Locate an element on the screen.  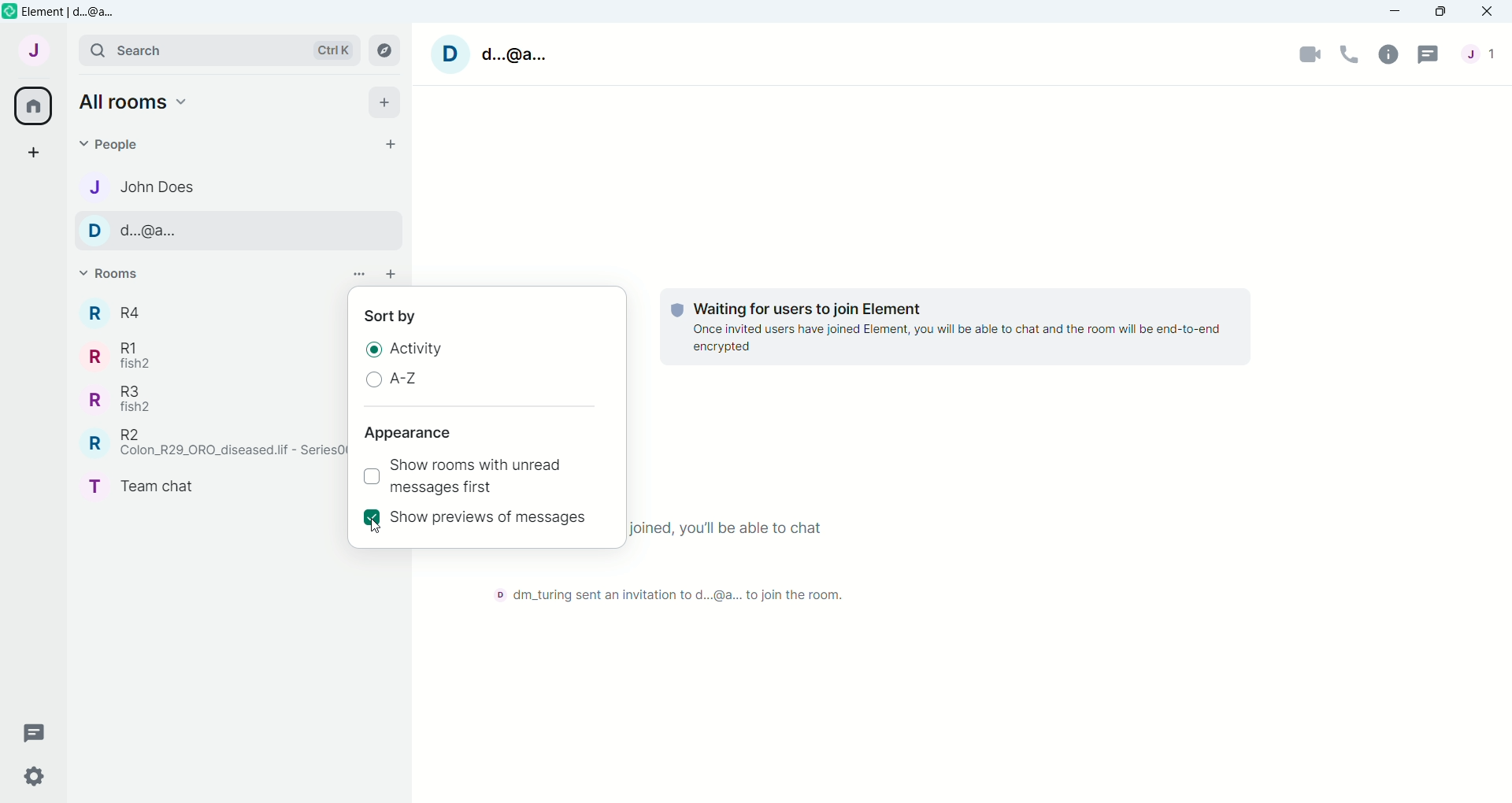
Search bar is located at coordinates (217, 51).